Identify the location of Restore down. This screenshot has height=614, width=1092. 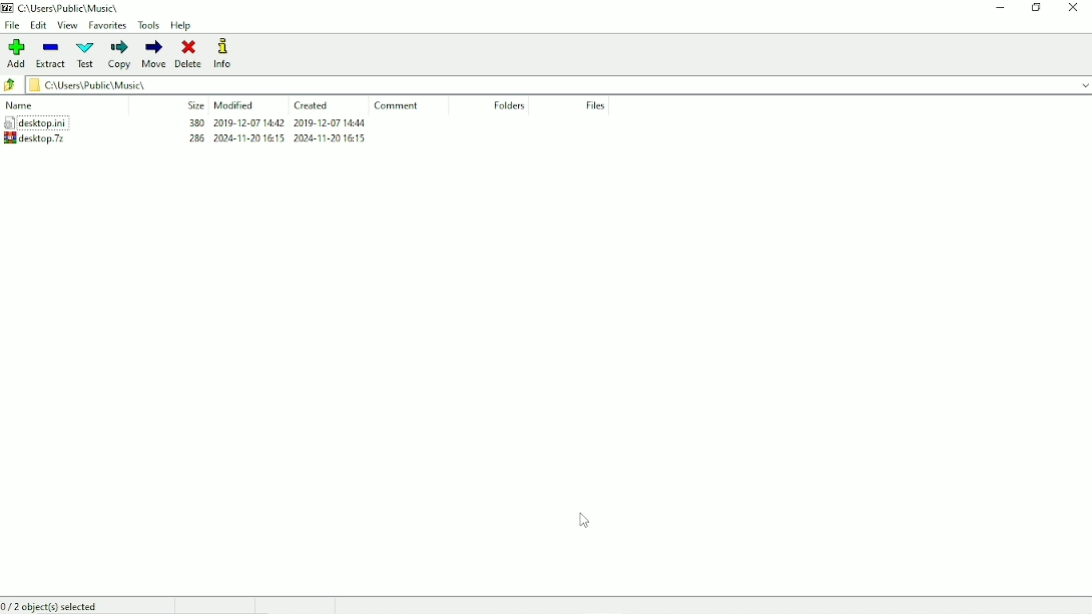
(1037, 7).